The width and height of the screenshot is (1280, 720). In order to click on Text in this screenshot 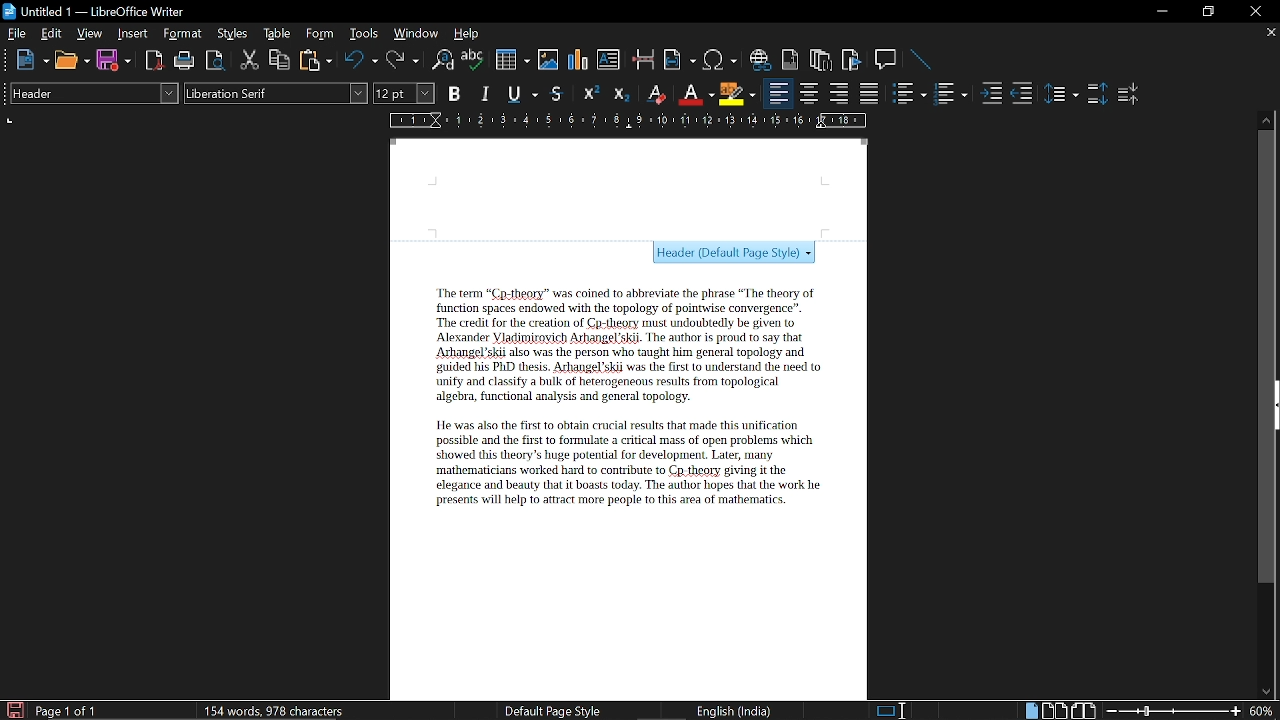, I will do `click(616, 395)`.